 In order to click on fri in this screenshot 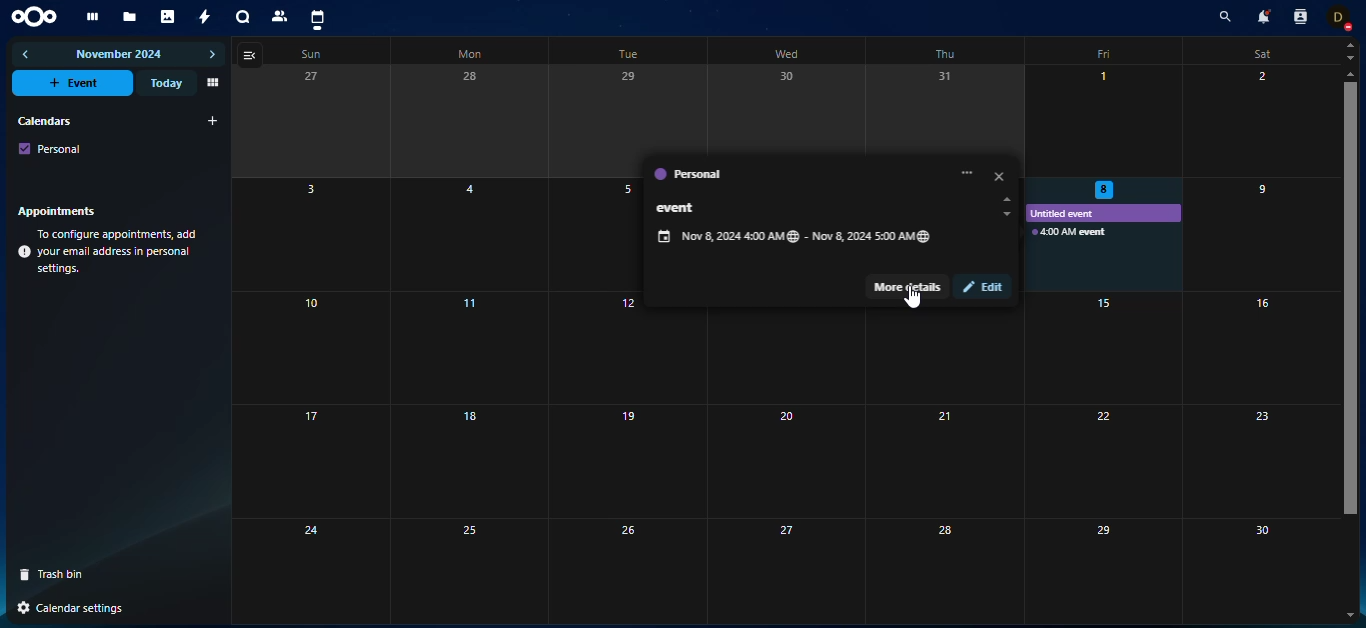, I will do `click(1106, 52)`.